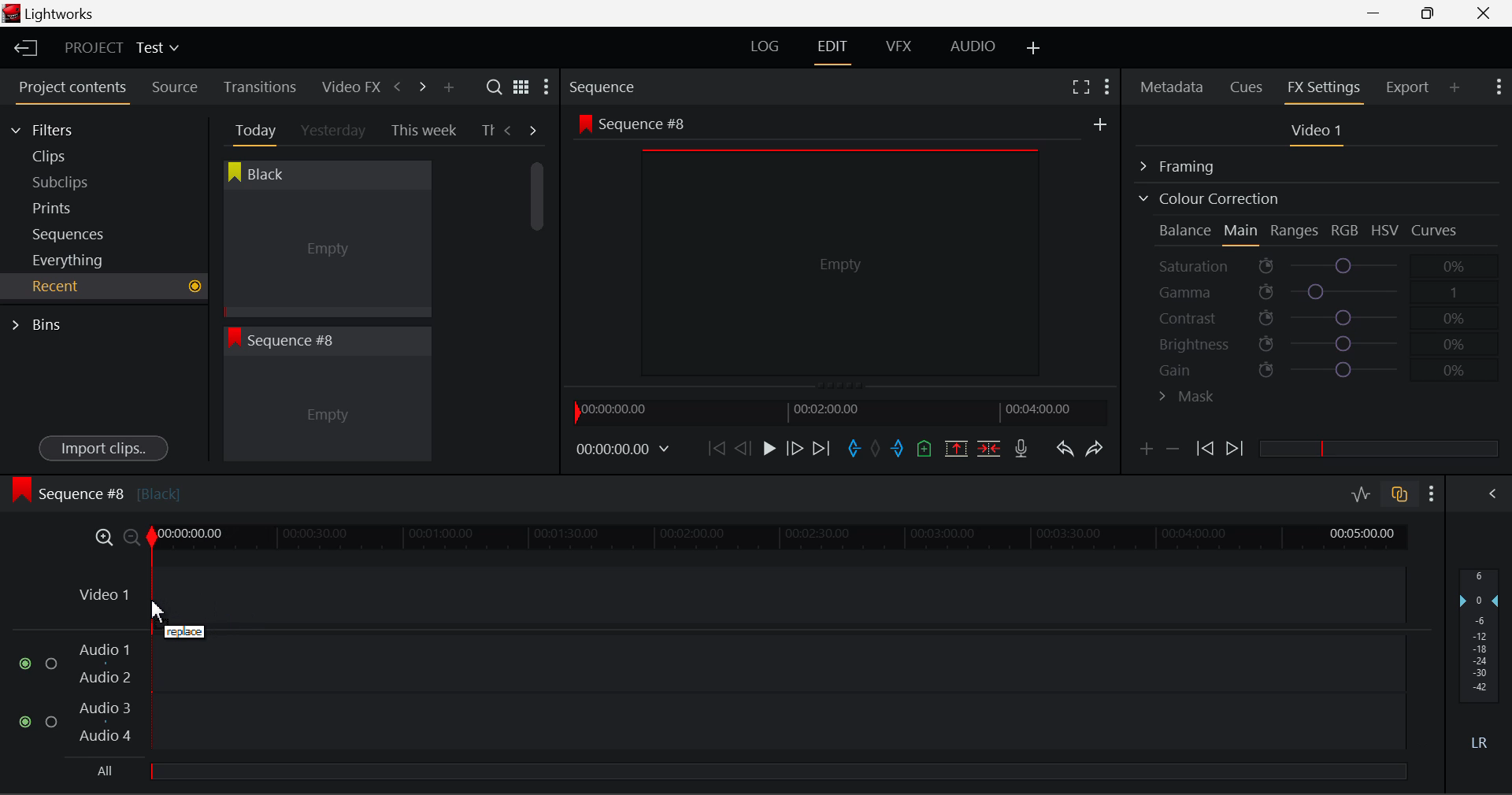 The height and width of the screenshot is (795, 1512). I want to click on Frame Time, so click(624, 450).